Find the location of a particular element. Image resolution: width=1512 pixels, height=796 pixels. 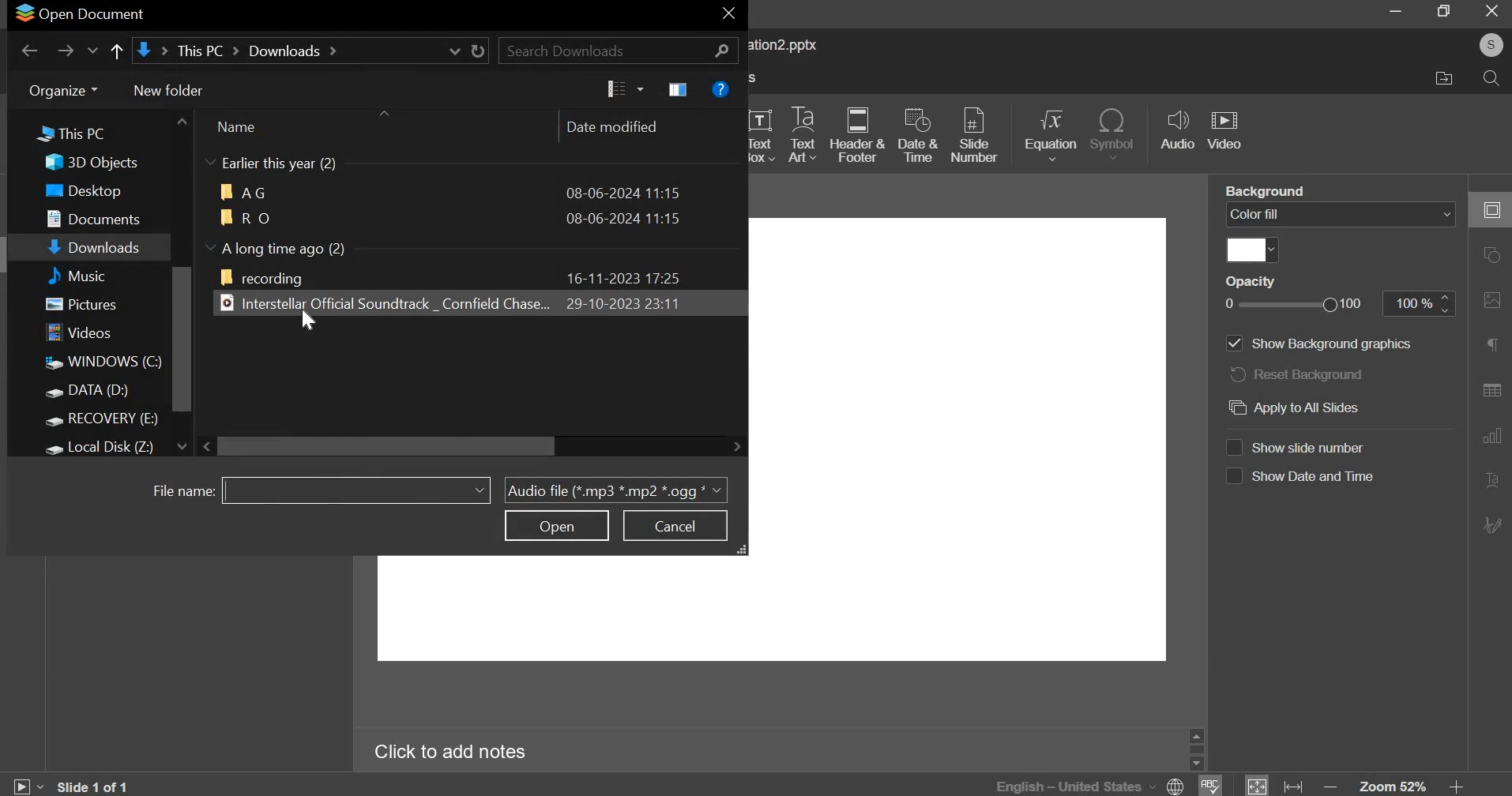

open document is located at coordinates (79, 15).